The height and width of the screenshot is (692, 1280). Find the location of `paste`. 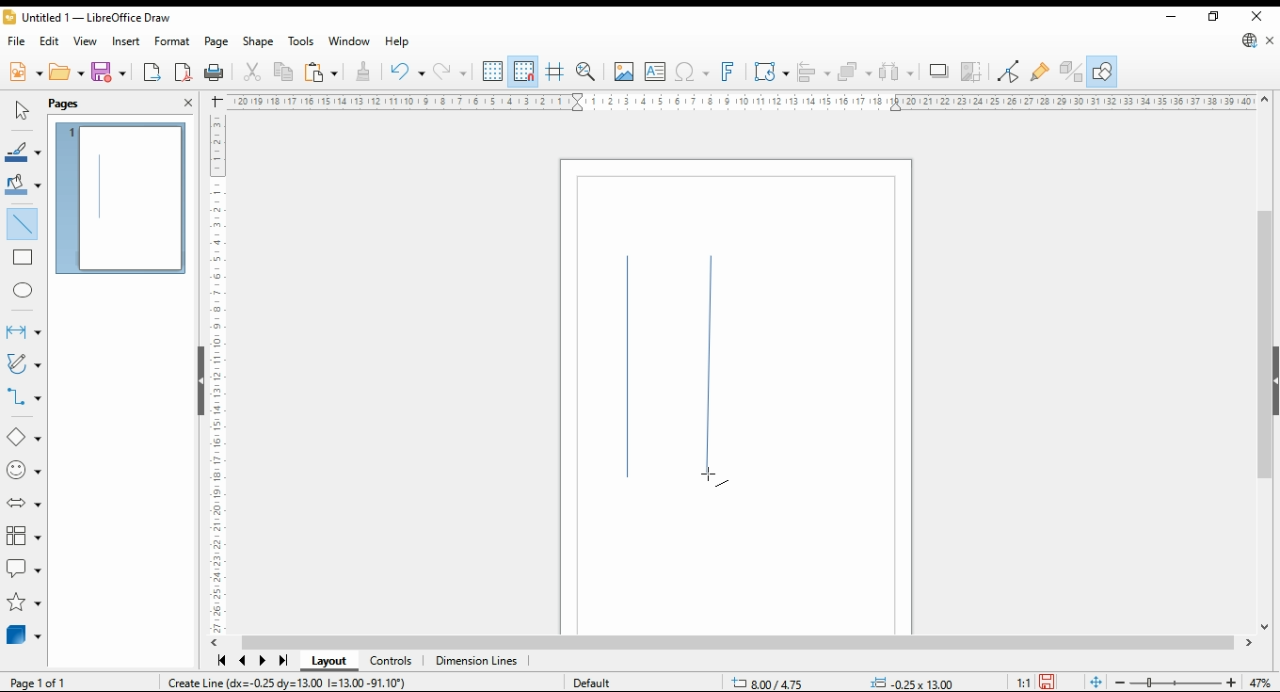

paste is located at coordinates (319, 72).